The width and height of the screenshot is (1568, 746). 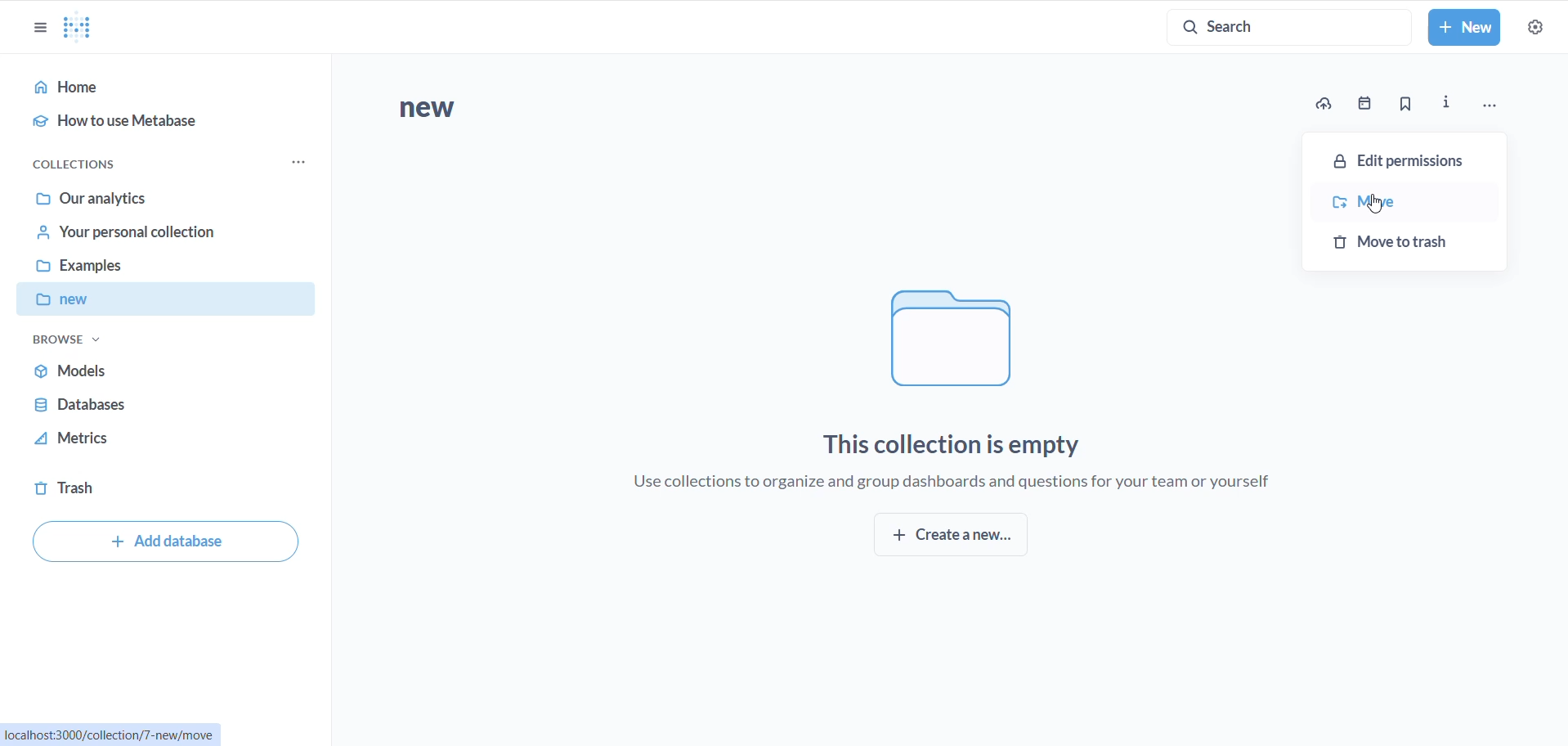 What do you see at coordinates (151, 237) in the screenshot?
I see `your personal collection` at bounding box center [151, 237].